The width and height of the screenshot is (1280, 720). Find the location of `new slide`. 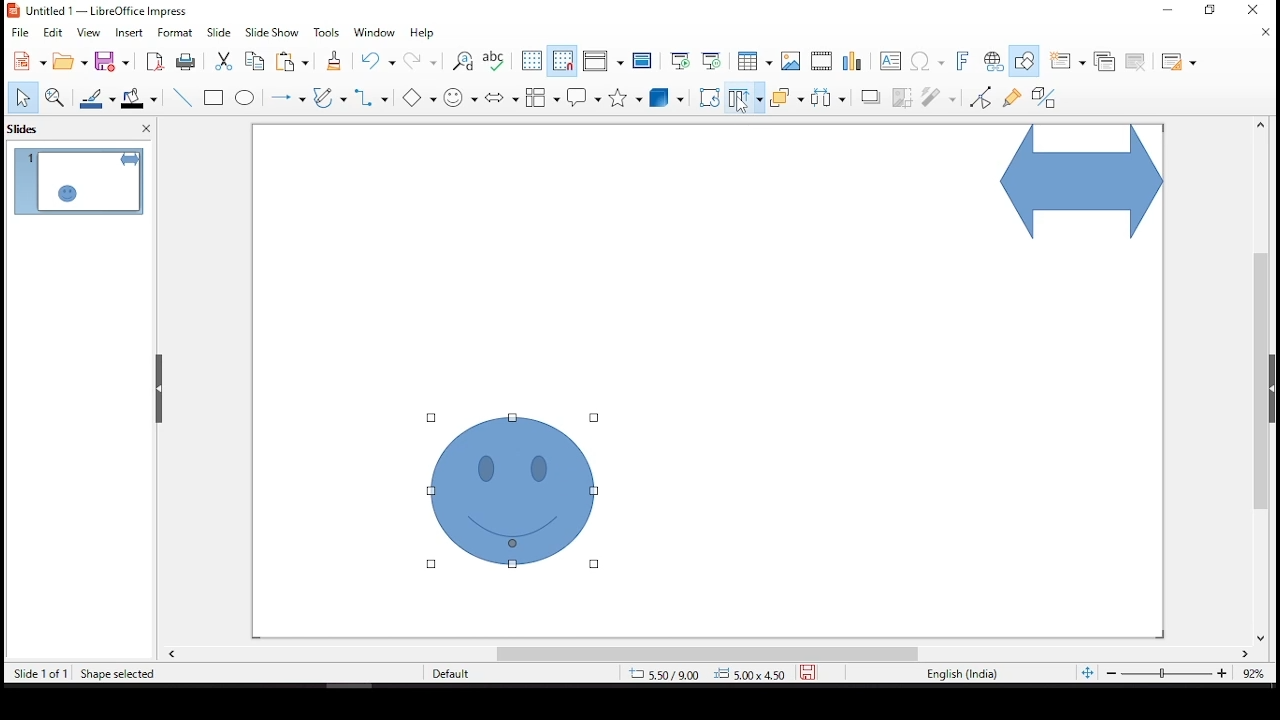

new slide is located at coordinates (1065, 61).